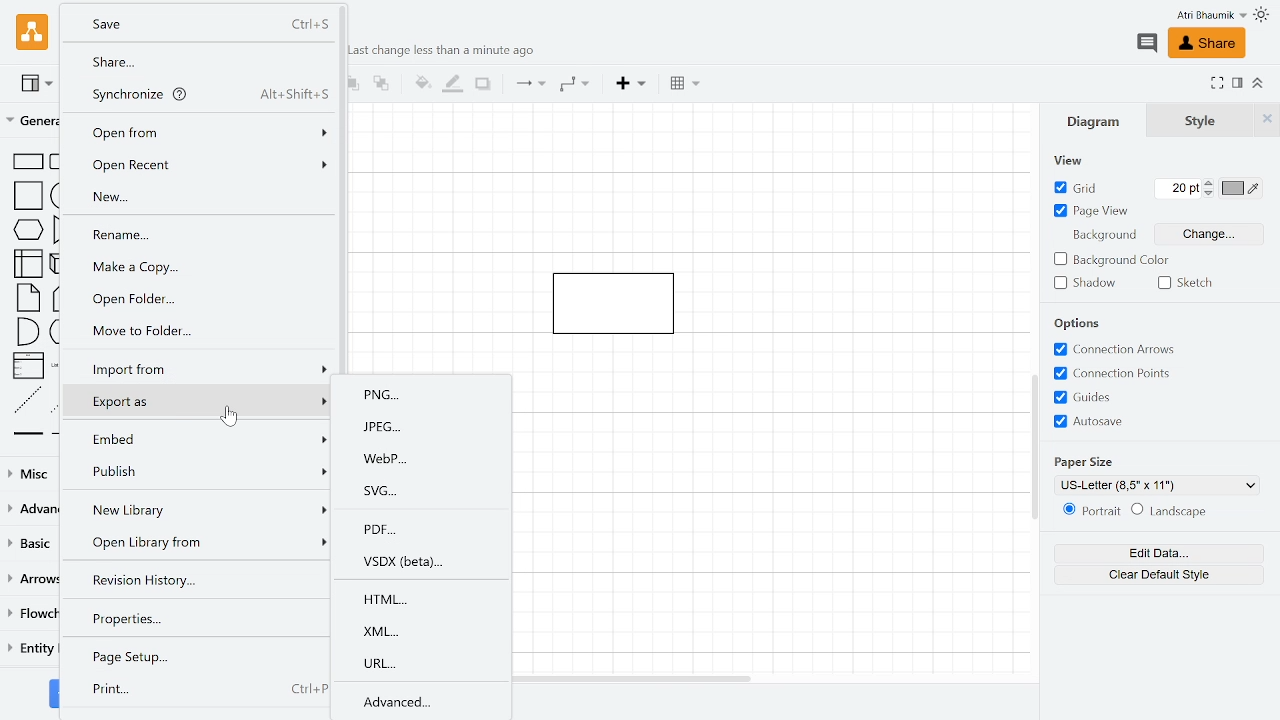 This screenshot has height=720, width=1280. Describe the element at coordinates (451, 84) in the screenshot. I see `Fill line` at that location.